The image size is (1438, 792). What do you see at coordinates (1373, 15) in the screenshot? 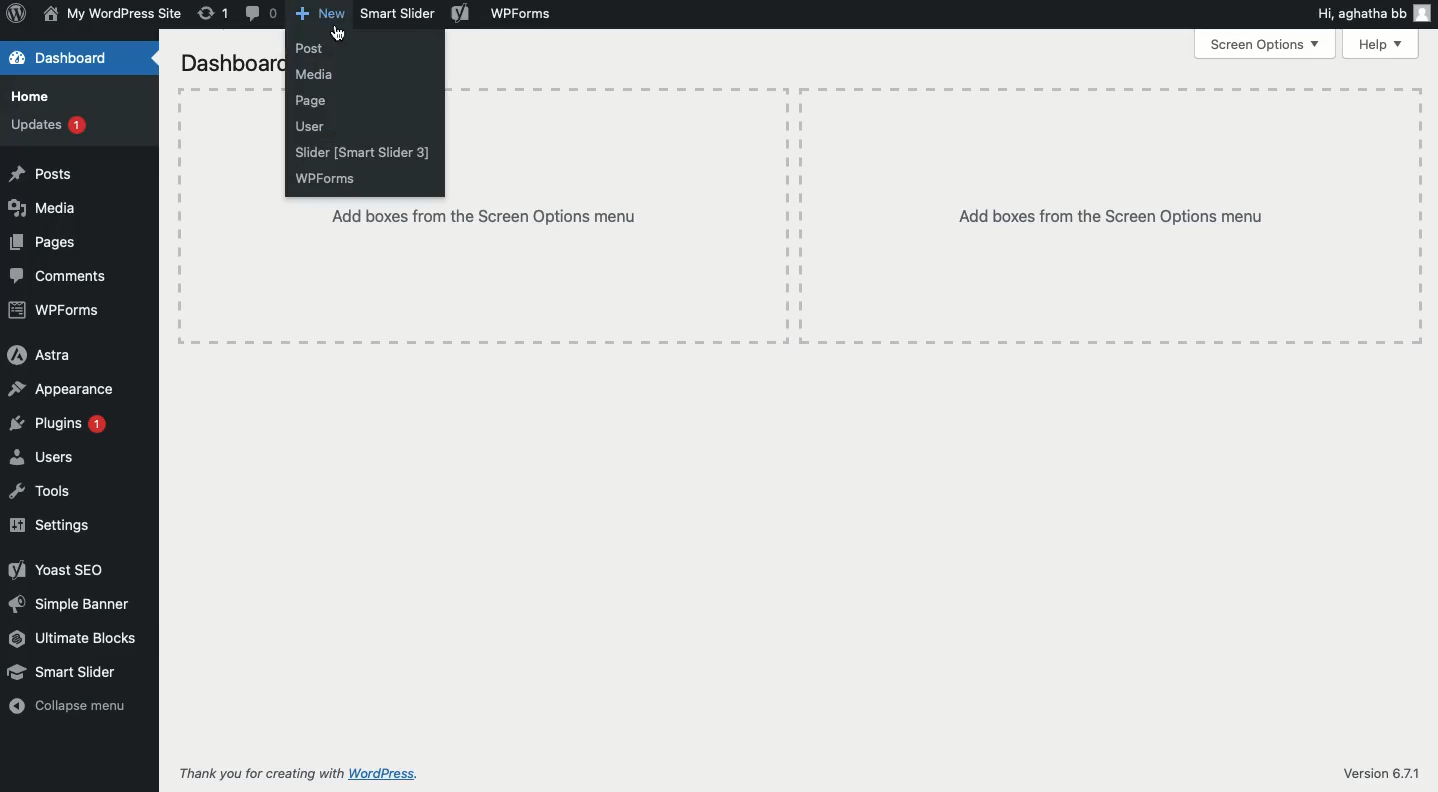
I see `Hi user` at bounding box center [1373, 15].